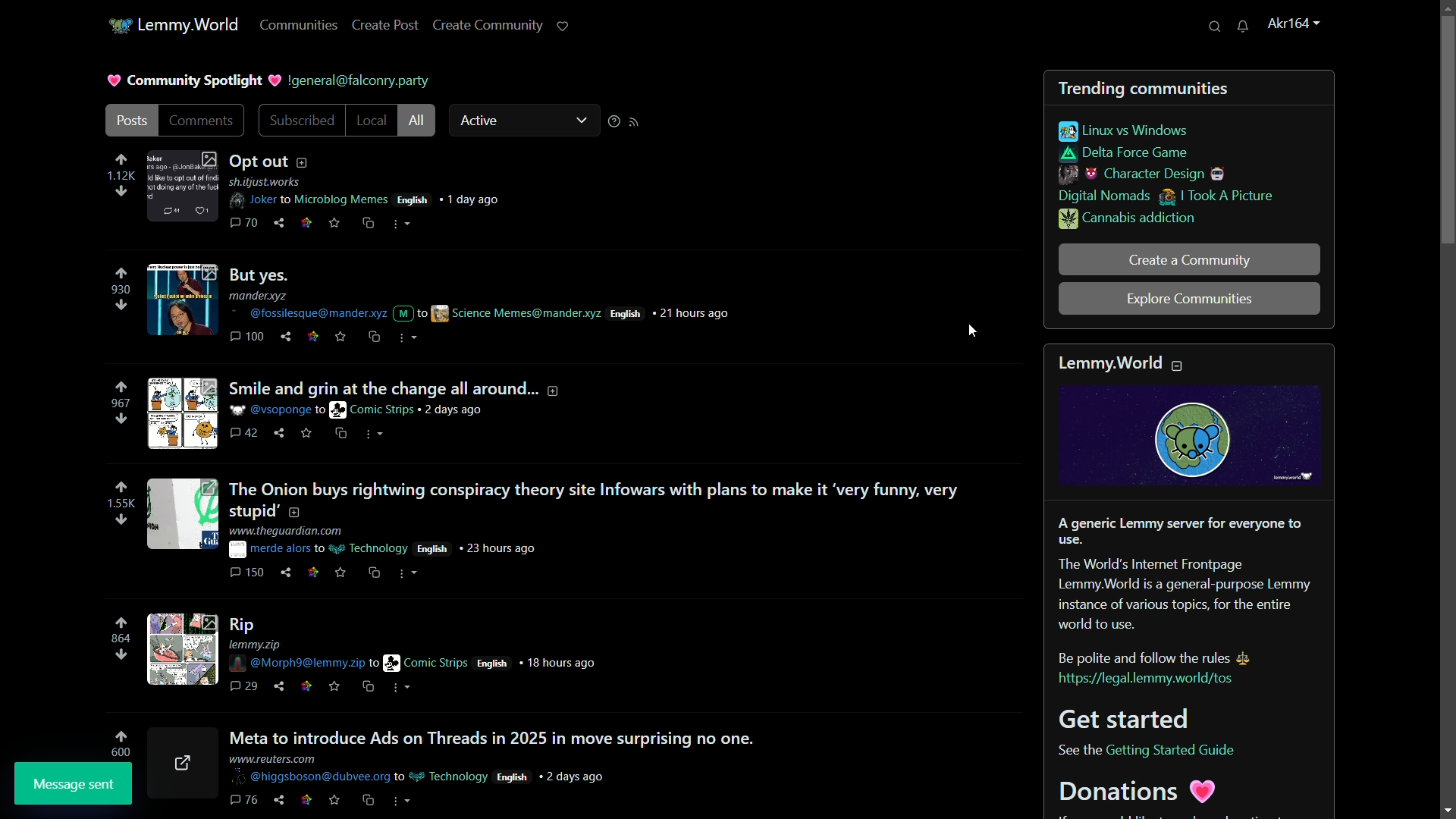 The image size is (1456, 819). I want to click on post-1, so click(393, 161).